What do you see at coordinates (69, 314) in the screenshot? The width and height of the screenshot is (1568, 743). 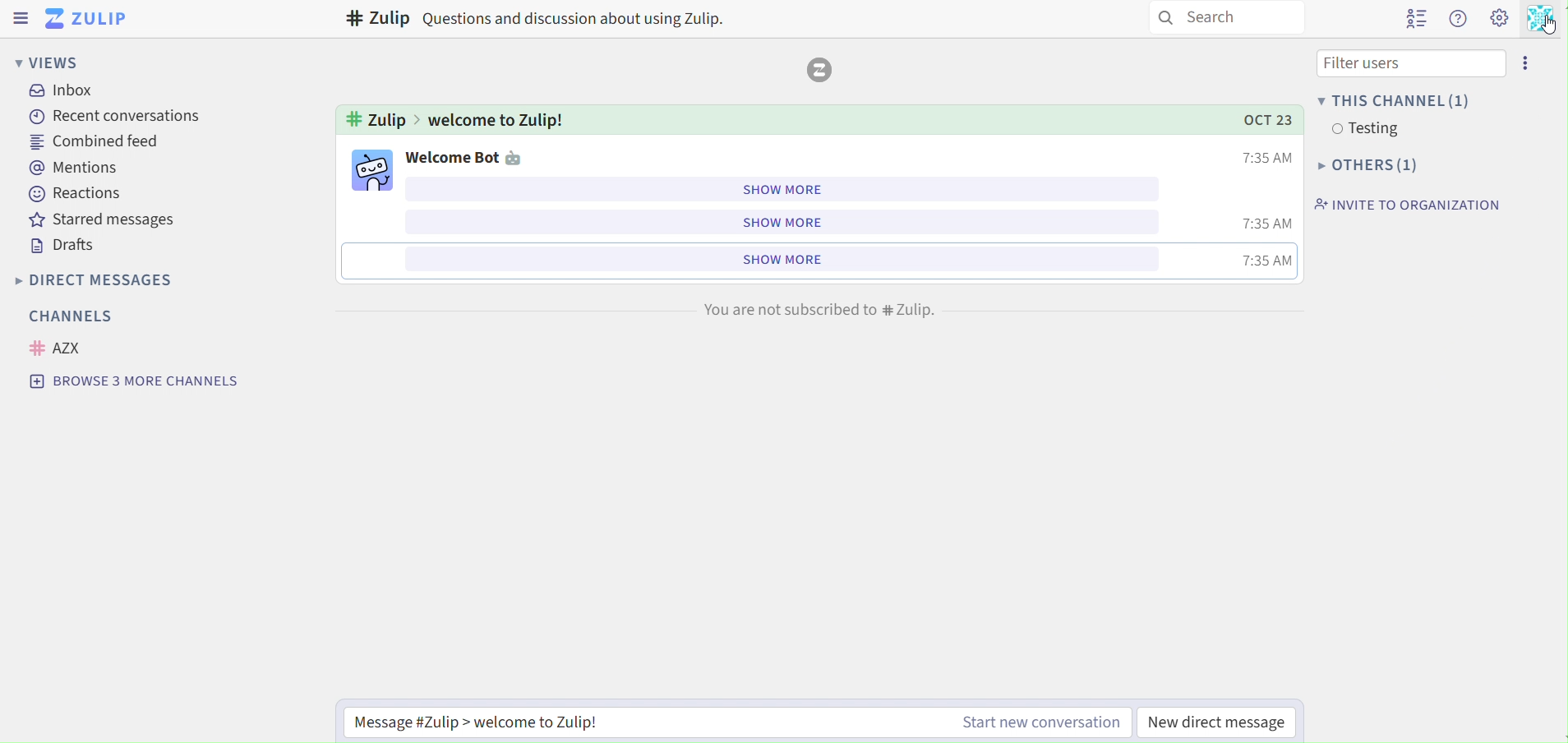 I see `channels` at bounding box center [69, 314].